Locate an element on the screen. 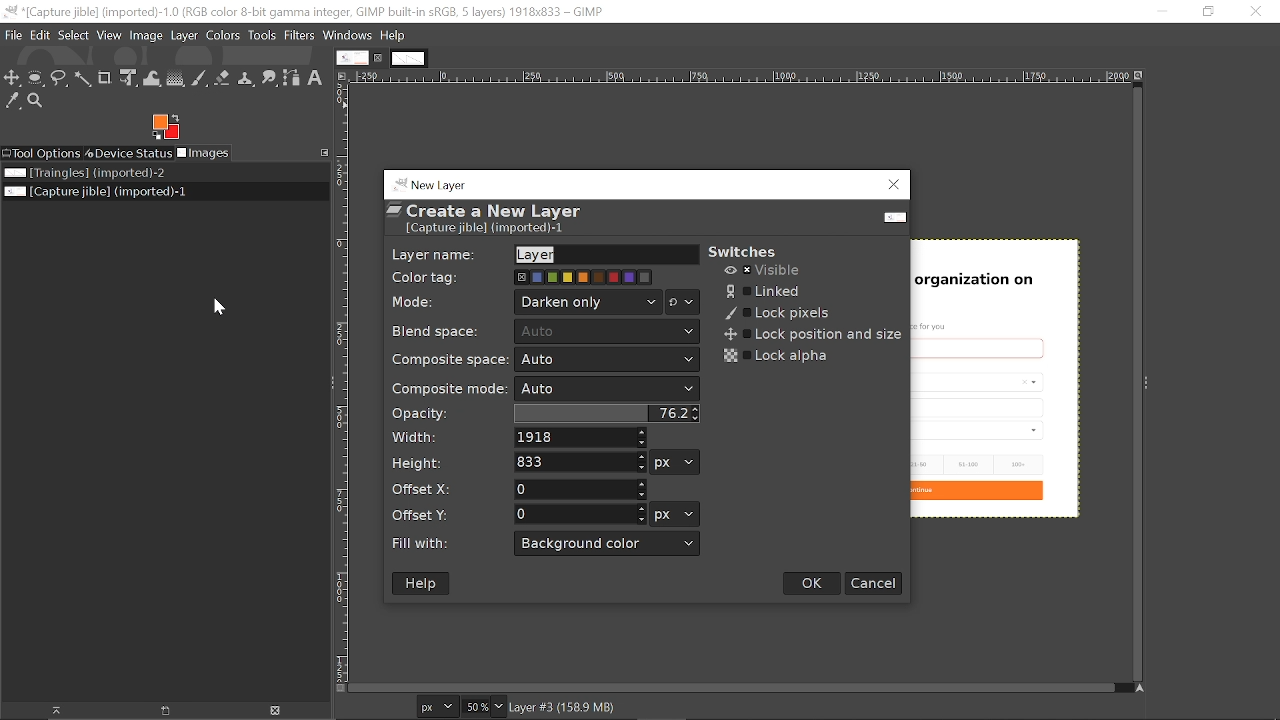 This screenshot has width=1280, height=720. Blend space: is located at coordinates (440, 331).